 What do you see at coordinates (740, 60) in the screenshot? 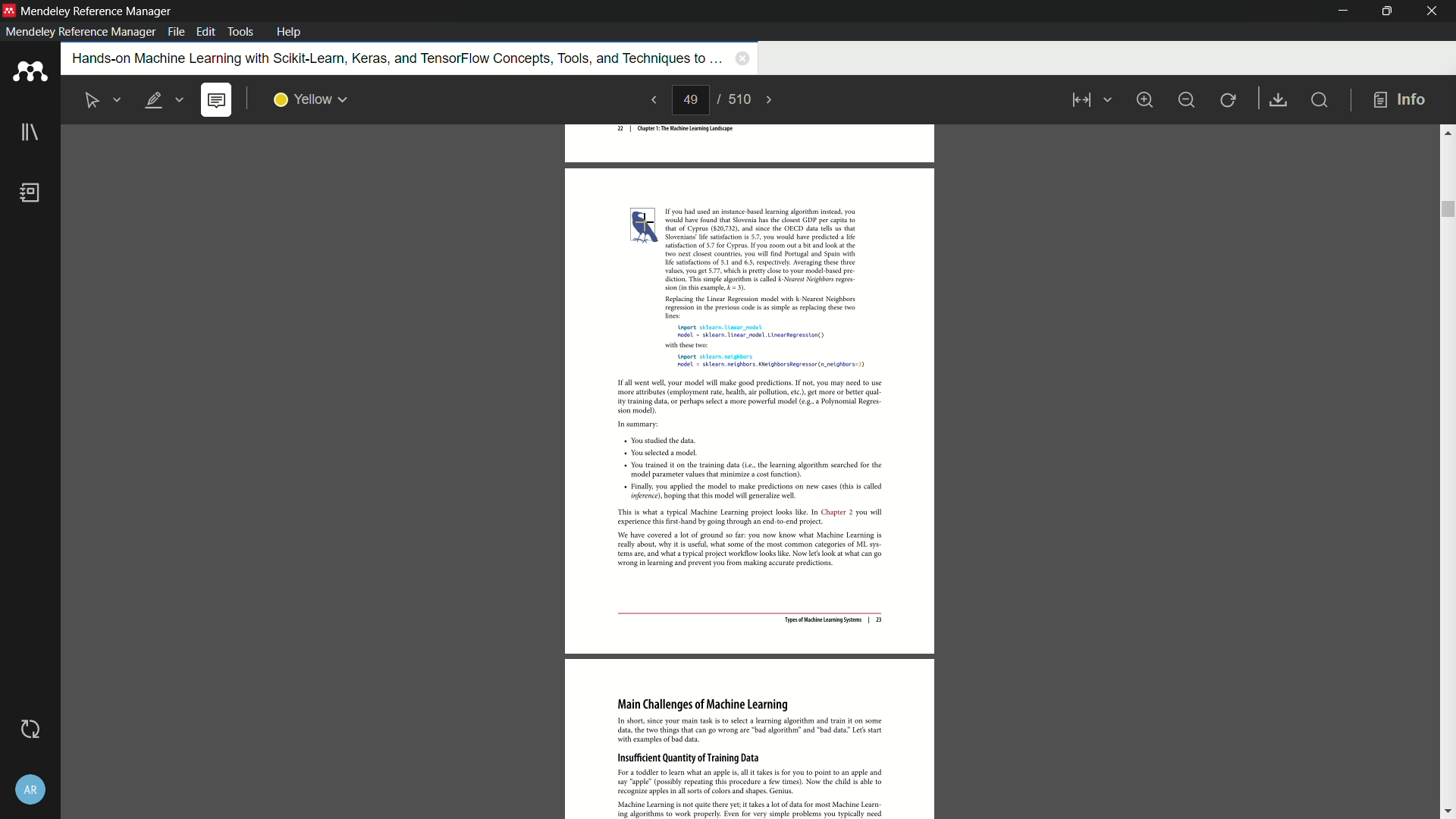
I see `close book` at bounding box center [740, 60].